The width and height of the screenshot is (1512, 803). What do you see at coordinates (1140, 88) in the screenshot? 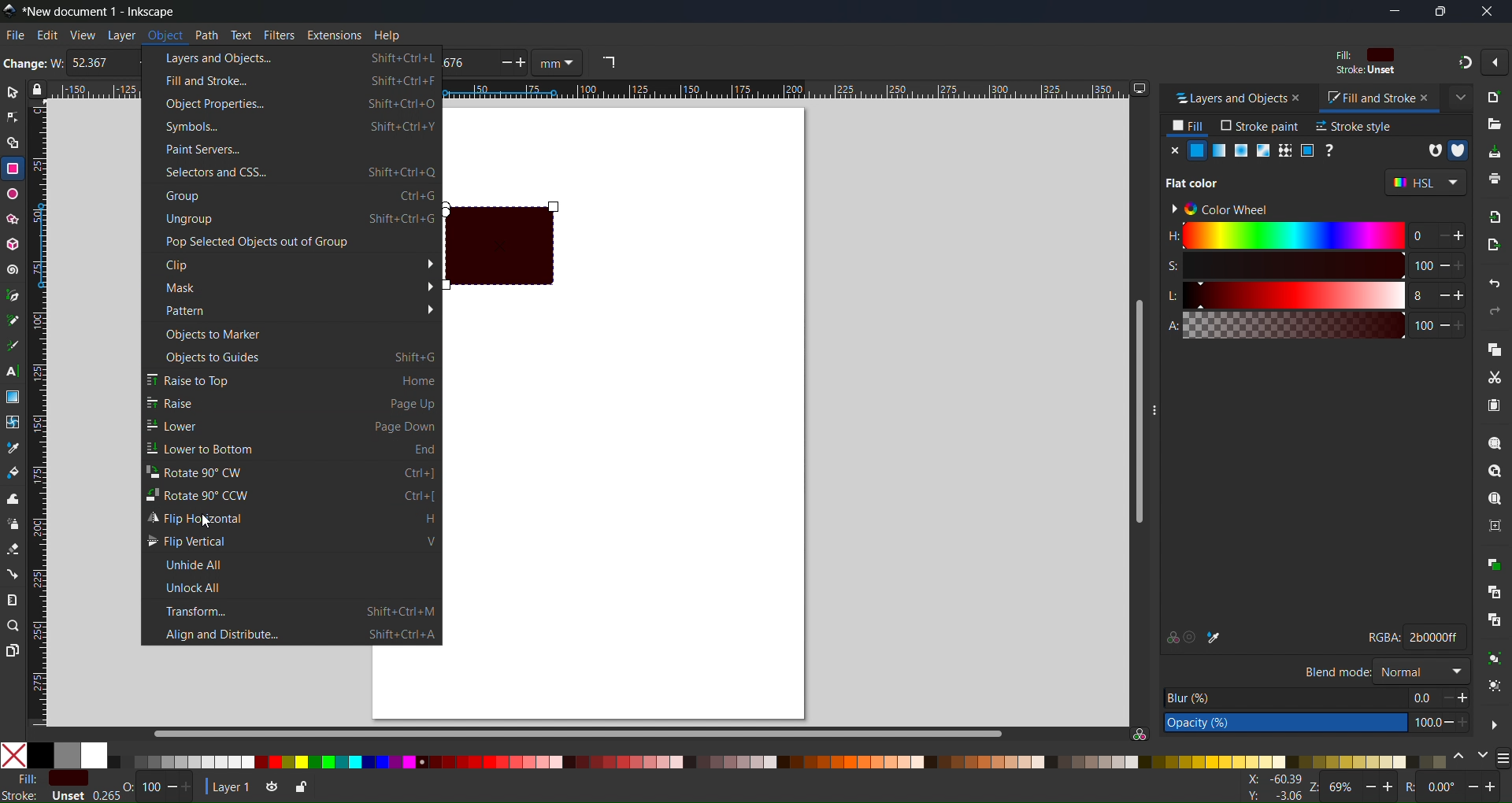
I see `Display option` at bounding box center [1140, 88].